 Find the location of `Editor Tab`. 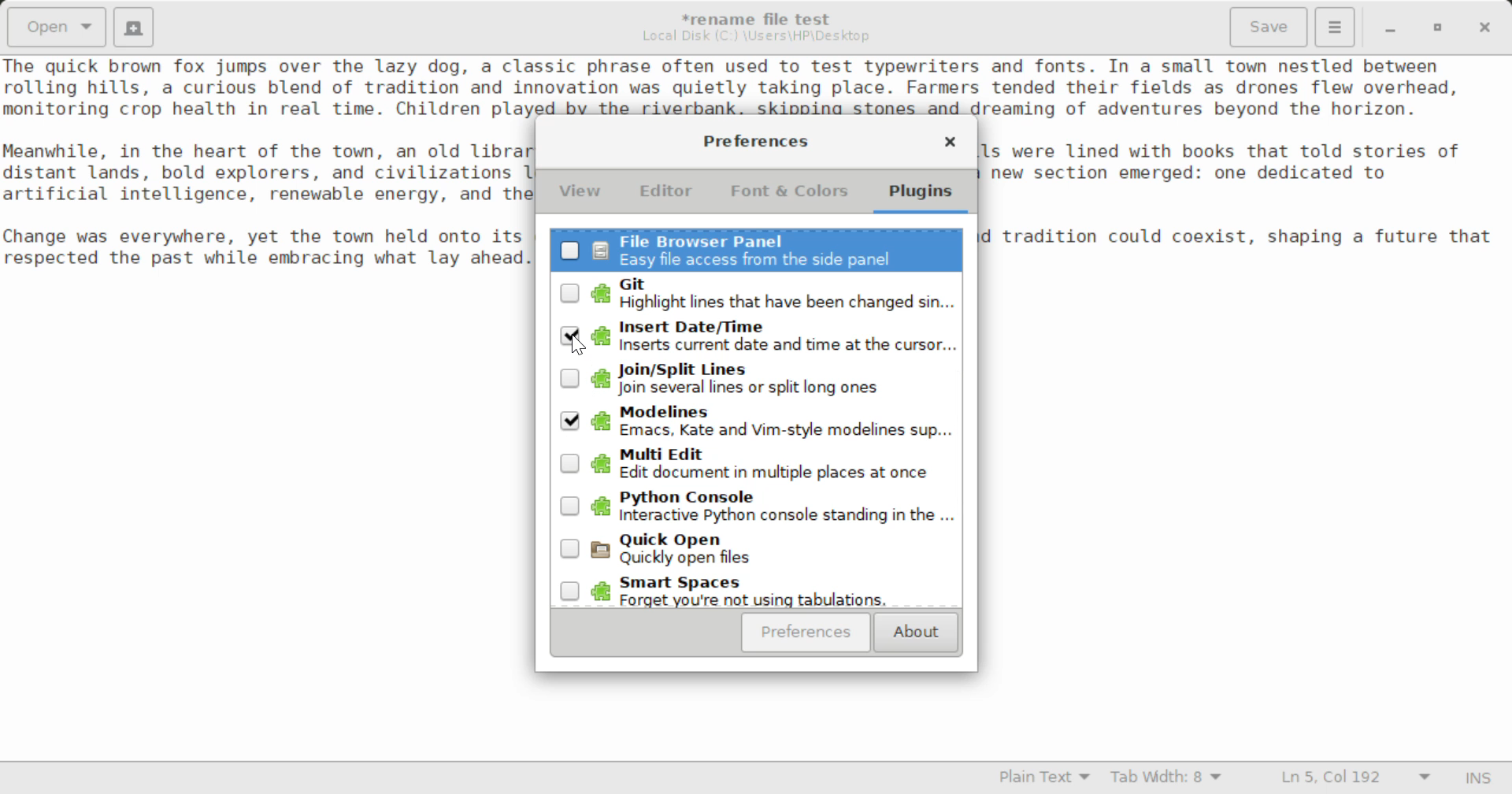

Editor Tab is located at coordinates (669, 195).